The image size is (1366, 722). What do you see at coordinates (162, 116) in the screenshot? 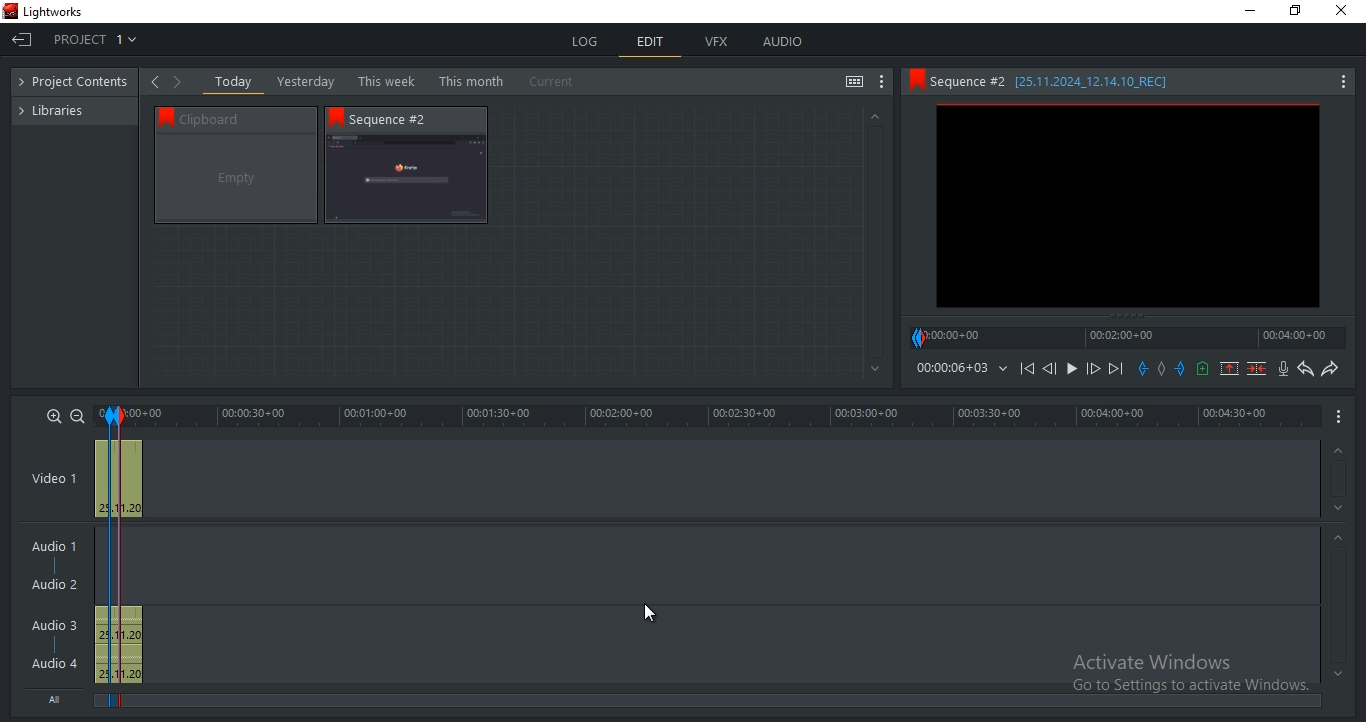
I see `Bookmark icon` at bounding box center [162, 116].